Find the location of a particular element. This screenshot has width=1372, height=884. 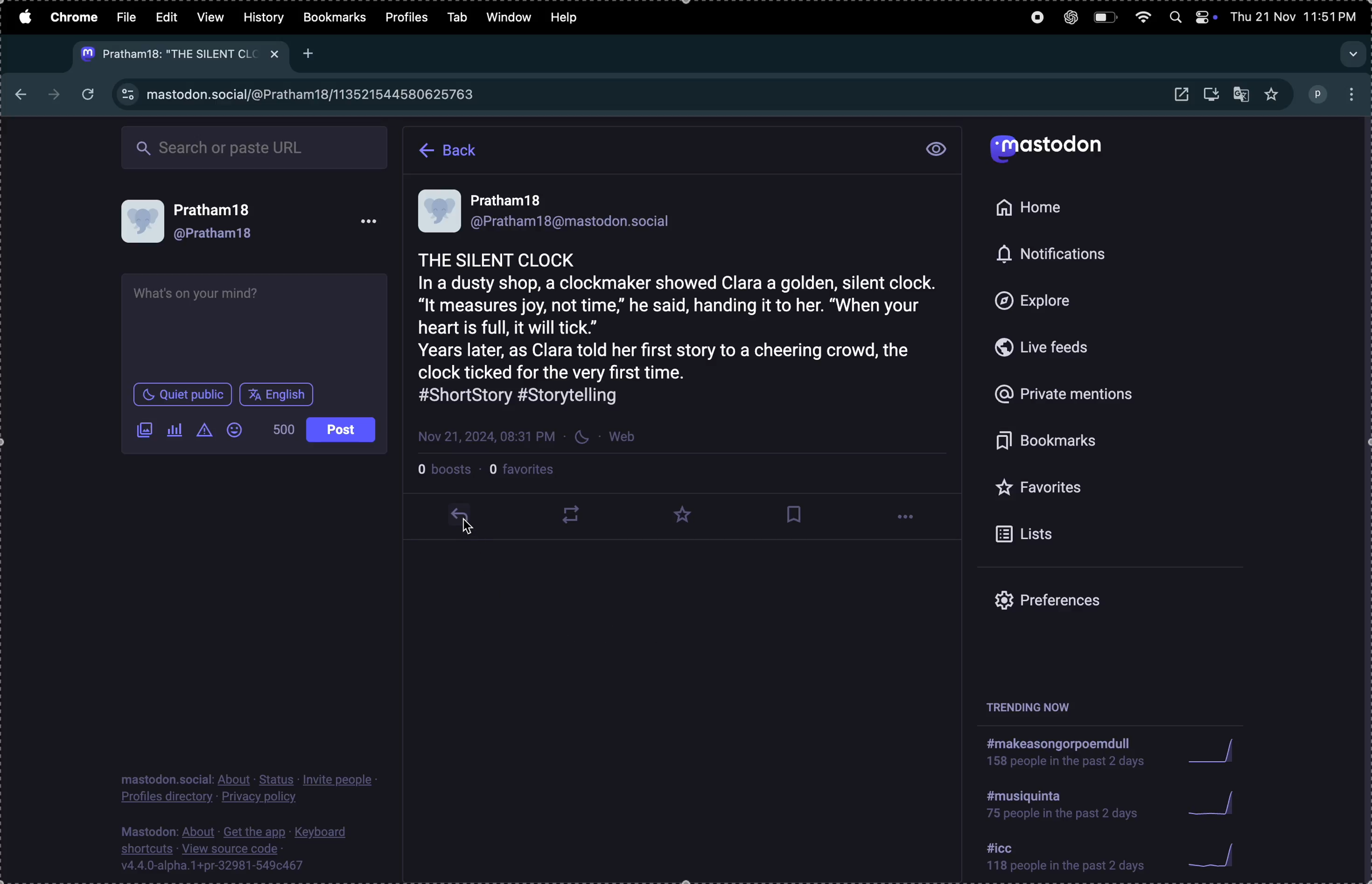

history is located at coordinates (263, 17).